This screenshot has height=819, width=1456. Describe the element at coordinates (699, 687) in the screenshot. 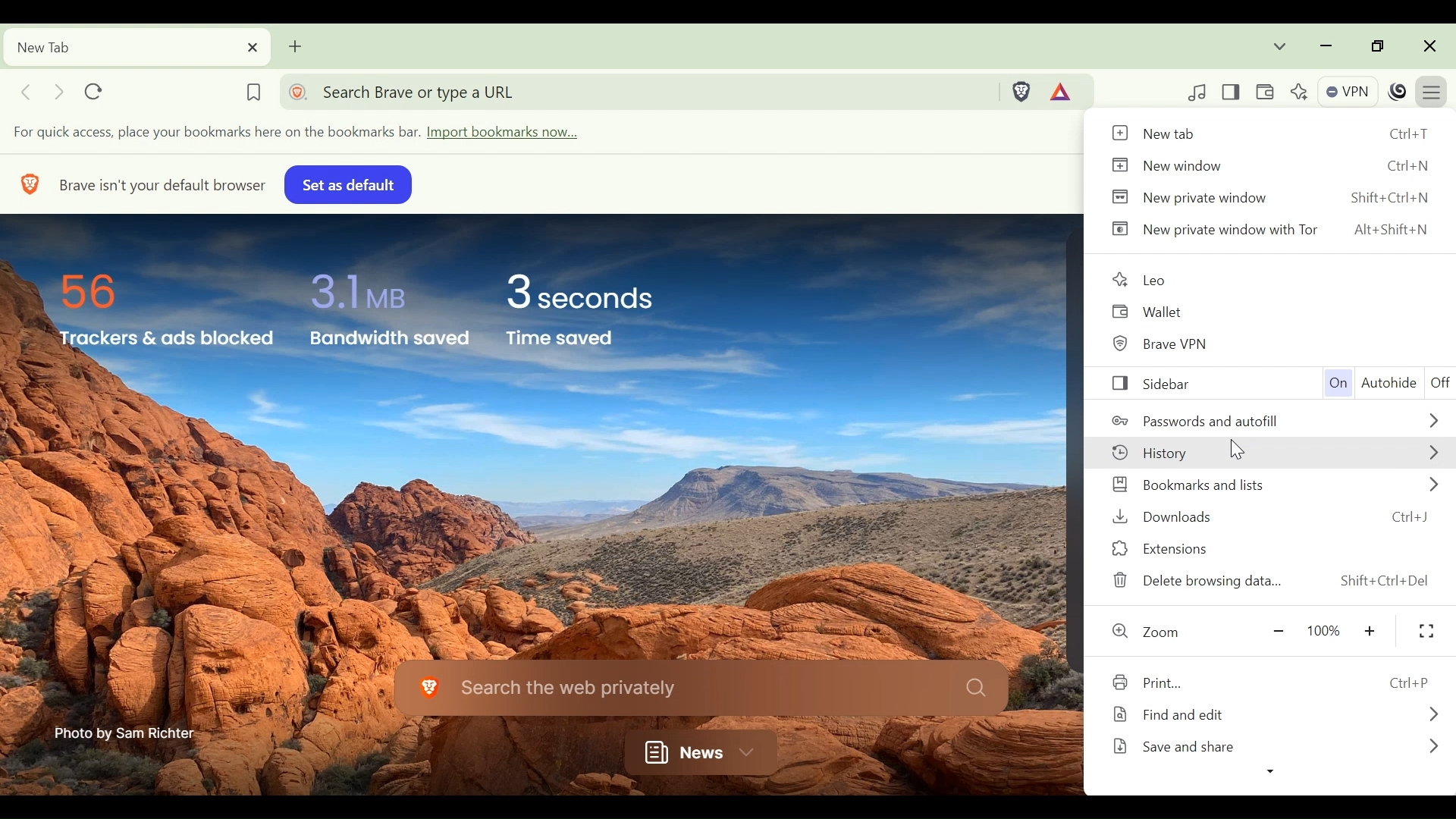

I see `Search the web privately` at that location.